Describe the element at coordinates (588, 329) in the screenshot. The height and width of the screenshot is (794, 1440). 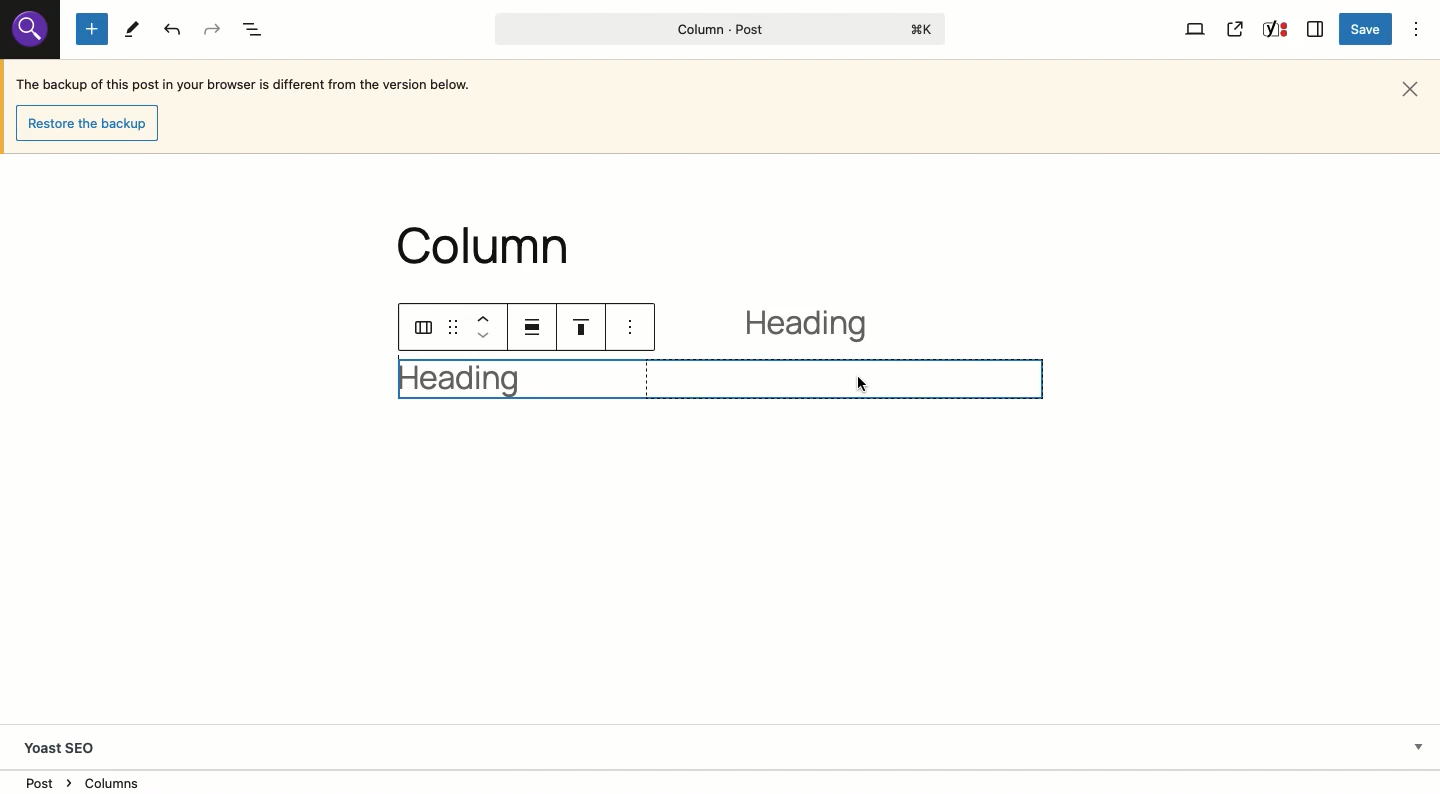
I see `Justification` at that location.